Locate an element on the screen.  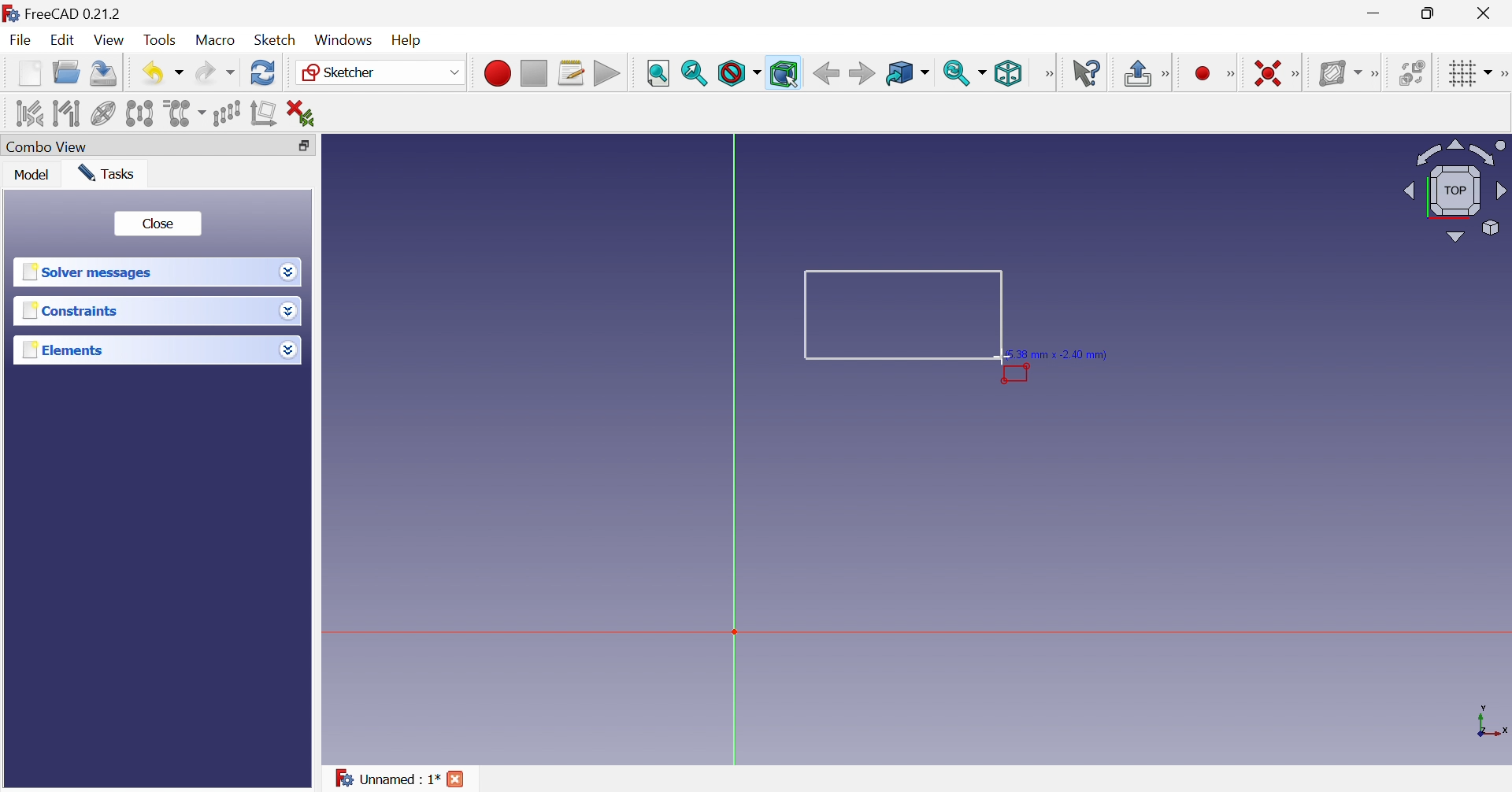
Solver messages is located at coordinates (86, 271).